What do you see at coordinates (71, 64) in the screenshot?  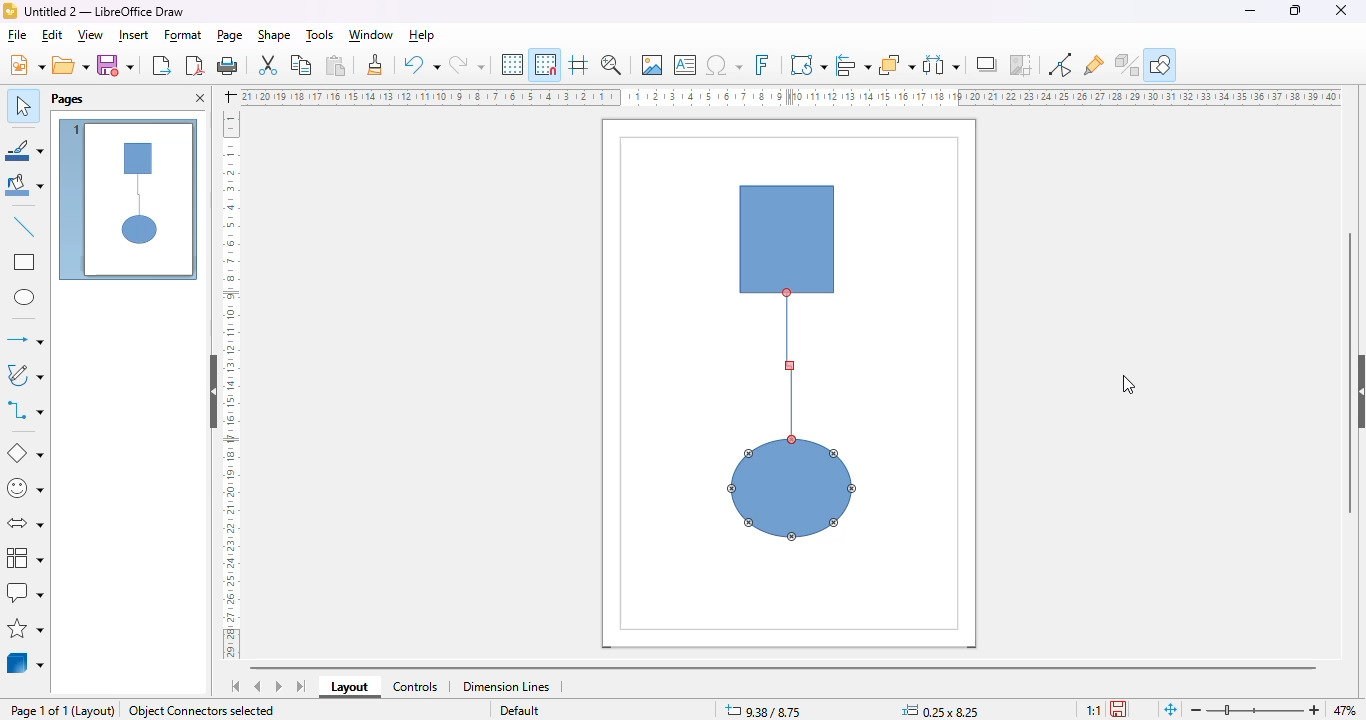 I see `open` at bounding box center [71, 64].